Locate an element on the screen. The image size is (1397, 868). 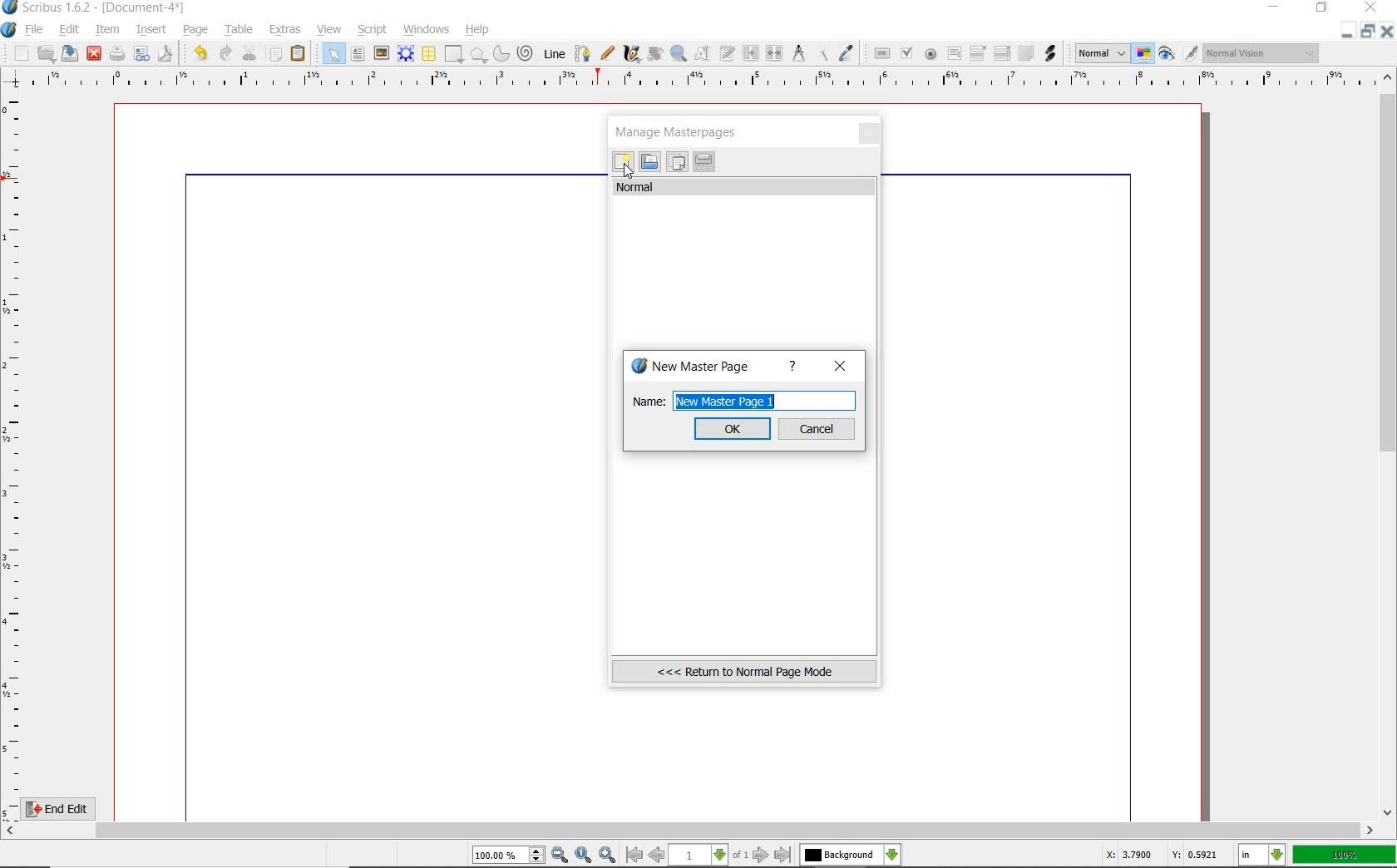
pdf combo box is located at coordinates (979, 52).